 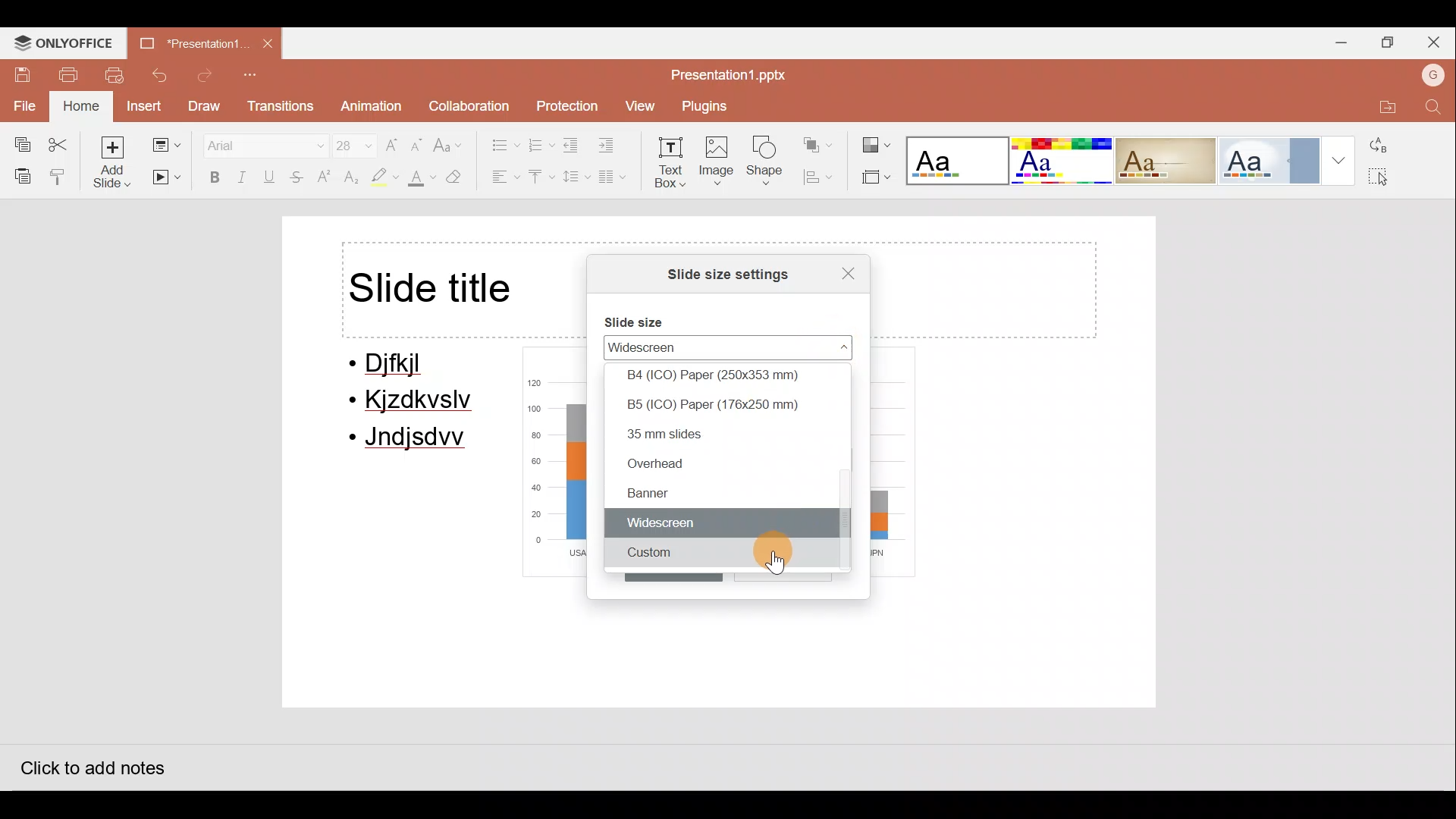 What do you see at coordinates (639, 106) in the screenshot?
I see `View` at bounding box center [639, 106].